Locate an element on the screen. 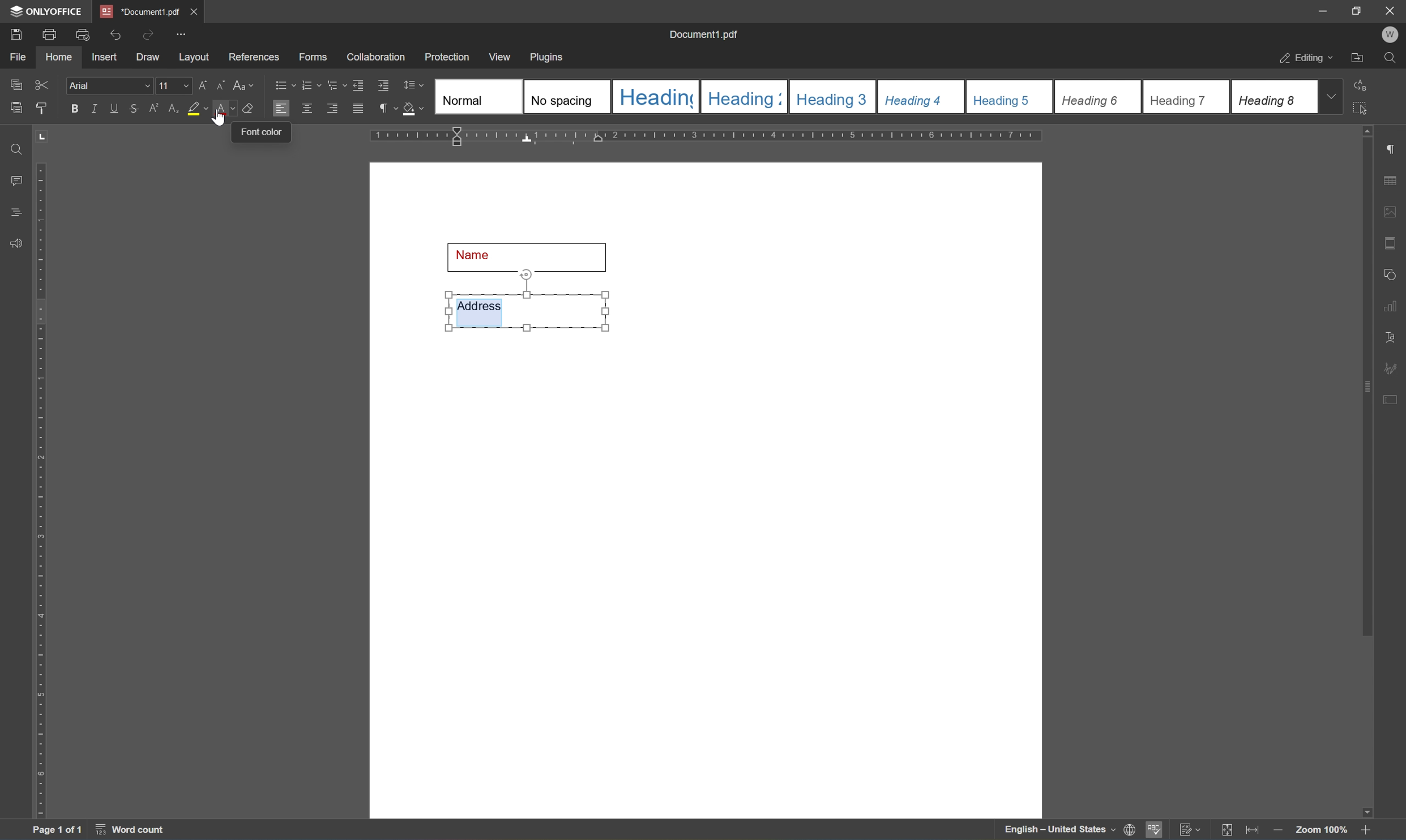 Image resolution: width=1406 pixels, height=840 pixels. plugins is located at coordinates (551, 56).